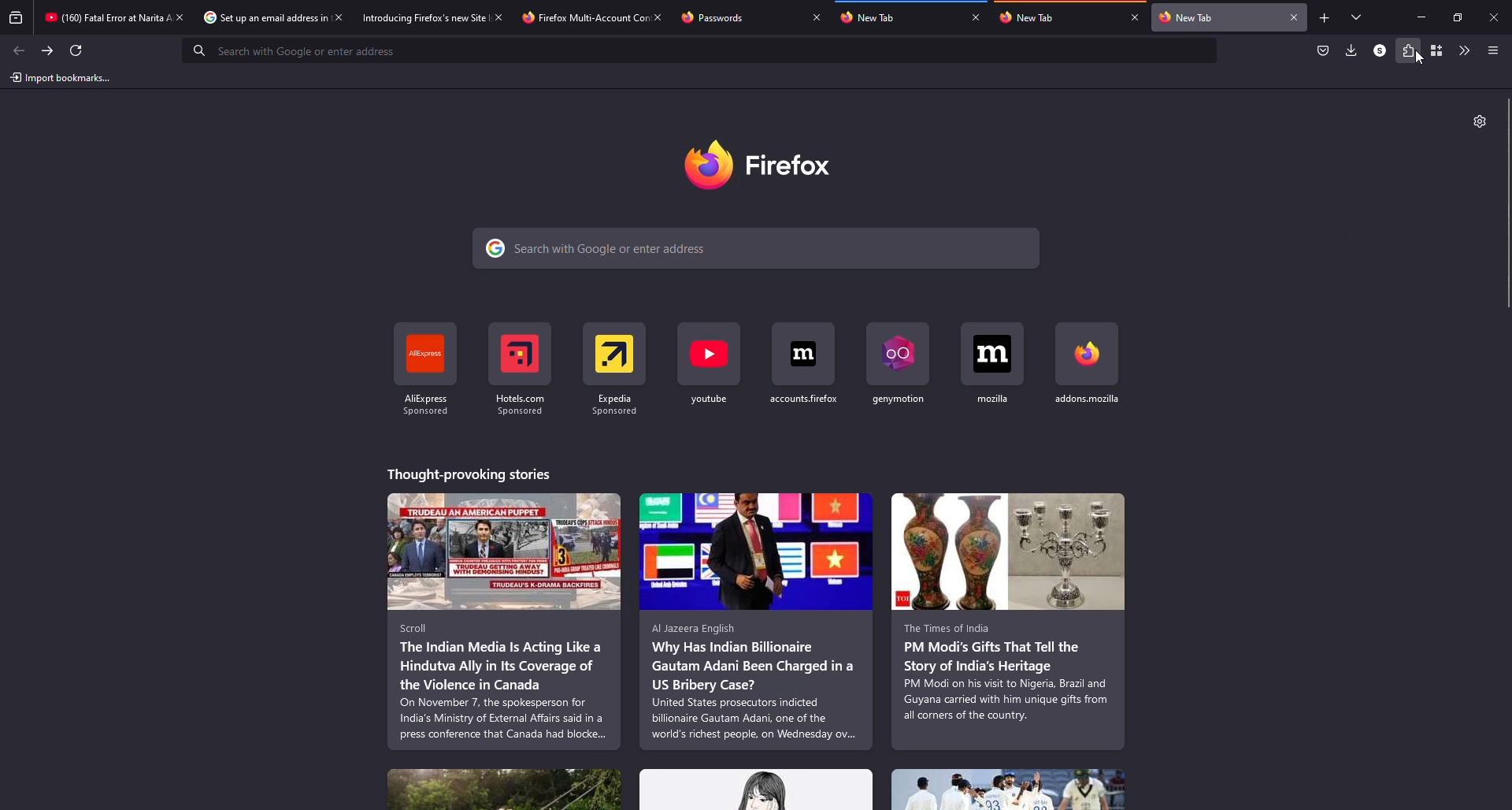  Describe the element at coordinates (428, 372) in the screenshot. I see `shortcut` at that location.